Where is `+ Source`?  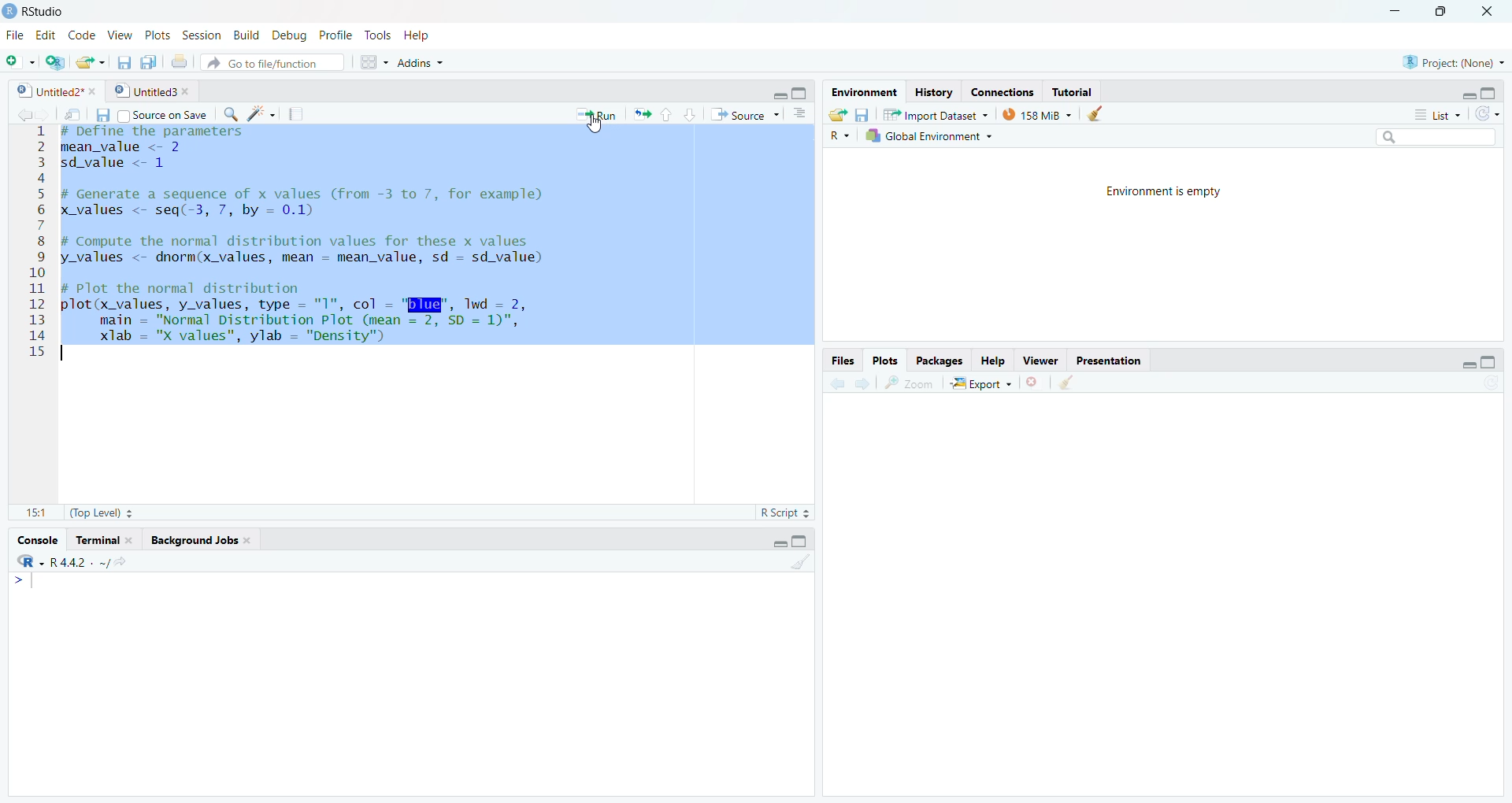 + Source is located at coordinates (744, 115).